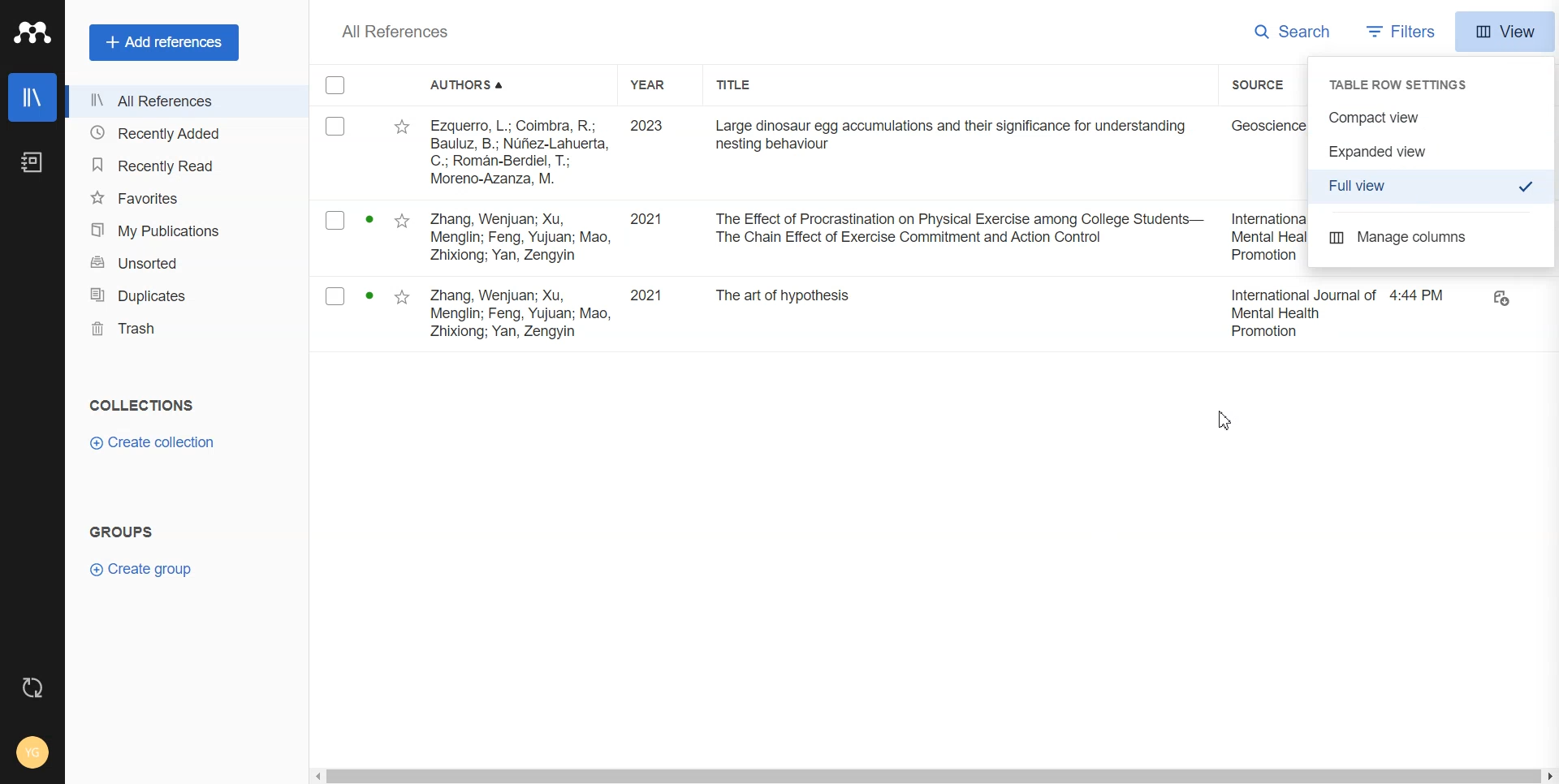 Image resolution: width=1559 pixels, height=784 pixels. What do you see at coordinates (473, 86) in the screenshot?
I see `Authors` at bounding box center [473, 86].